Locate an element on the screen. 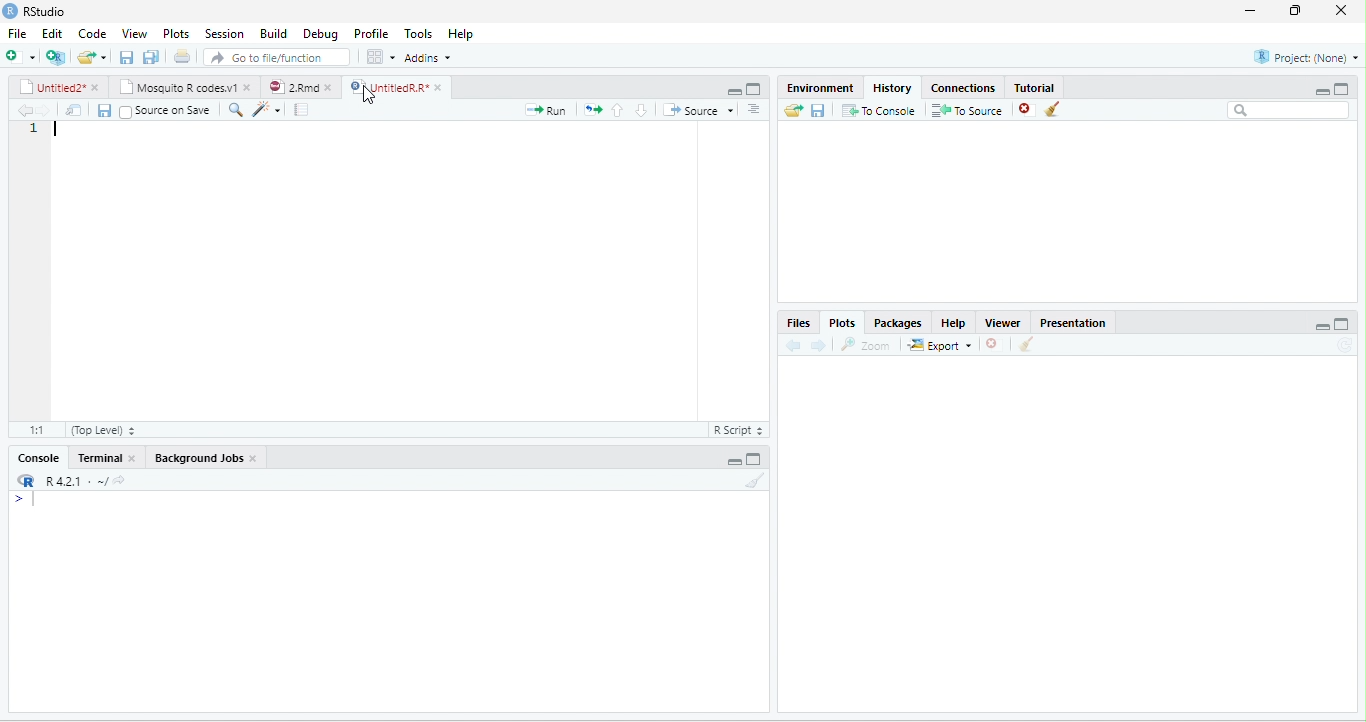 The height and width of the screenshot is (722, 1366). 2Rnd is located at coordinates (295, 86).